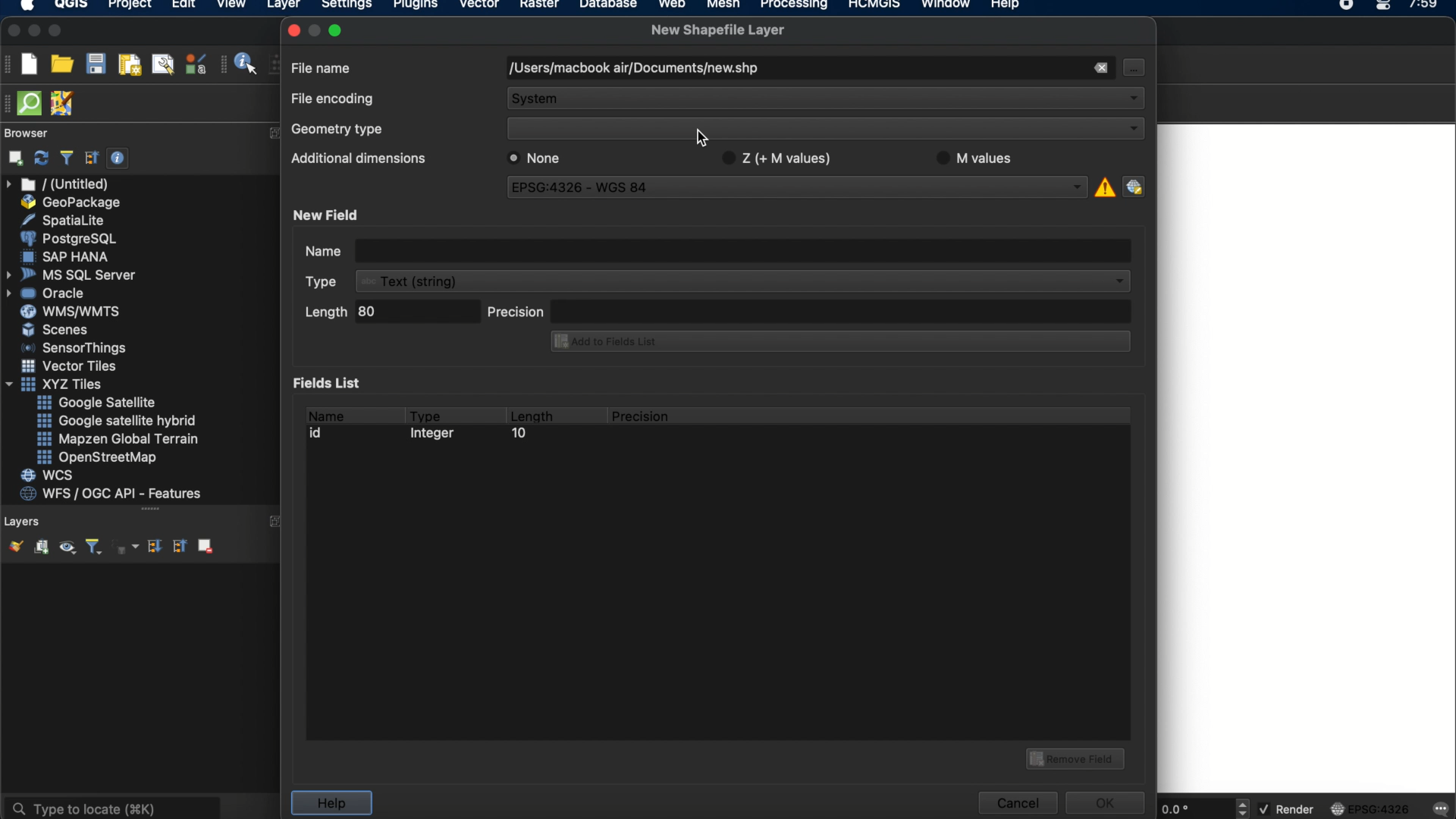  What do you see at coordinates (93, 548) in the screenshot?
I see `filter legend` at bounding box center [93, 548].